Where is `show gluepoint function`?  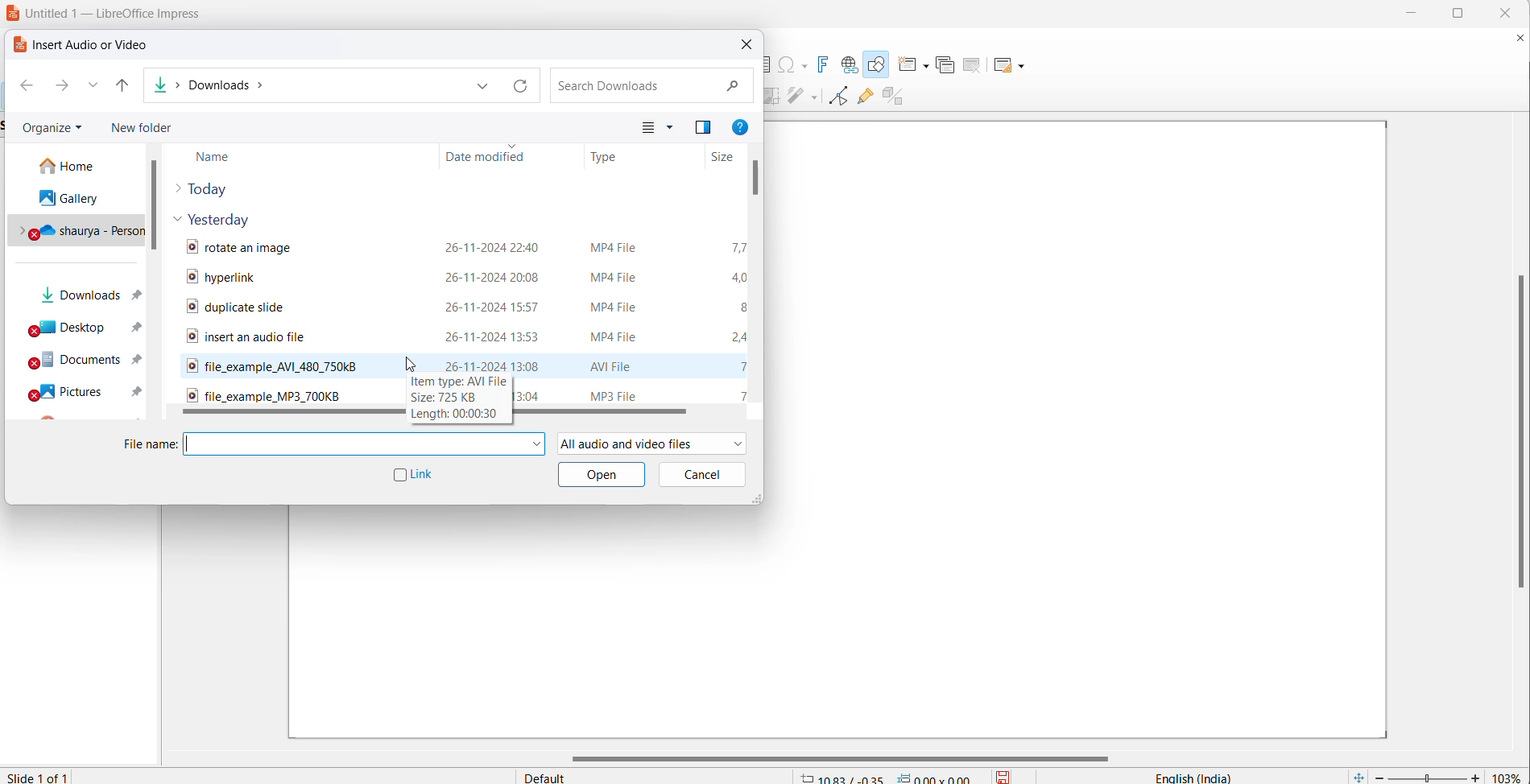
show gluepoint function is located at coordinates (868, 98).